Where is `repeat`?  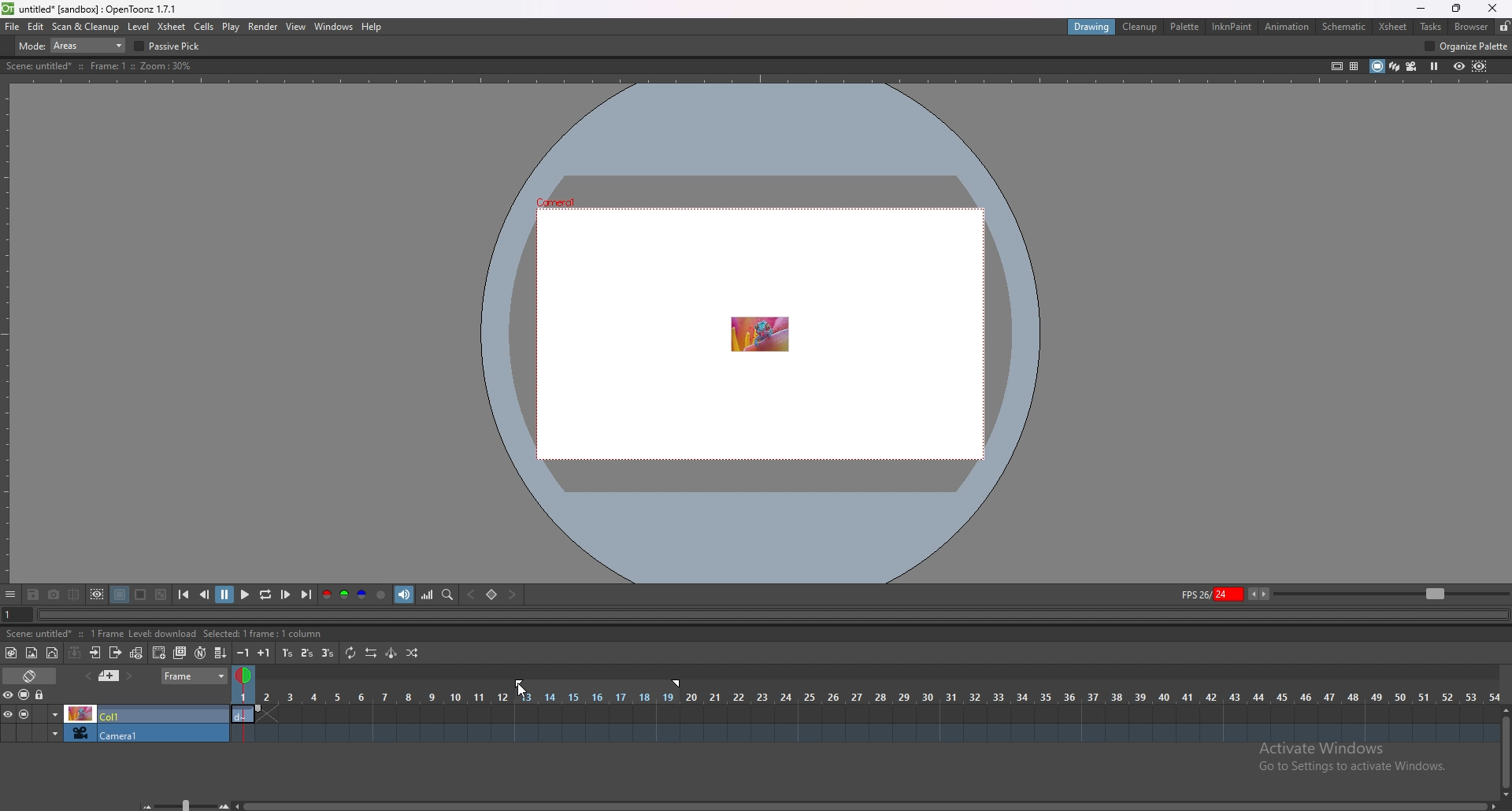 repeat is located at coordinates (352, 654).